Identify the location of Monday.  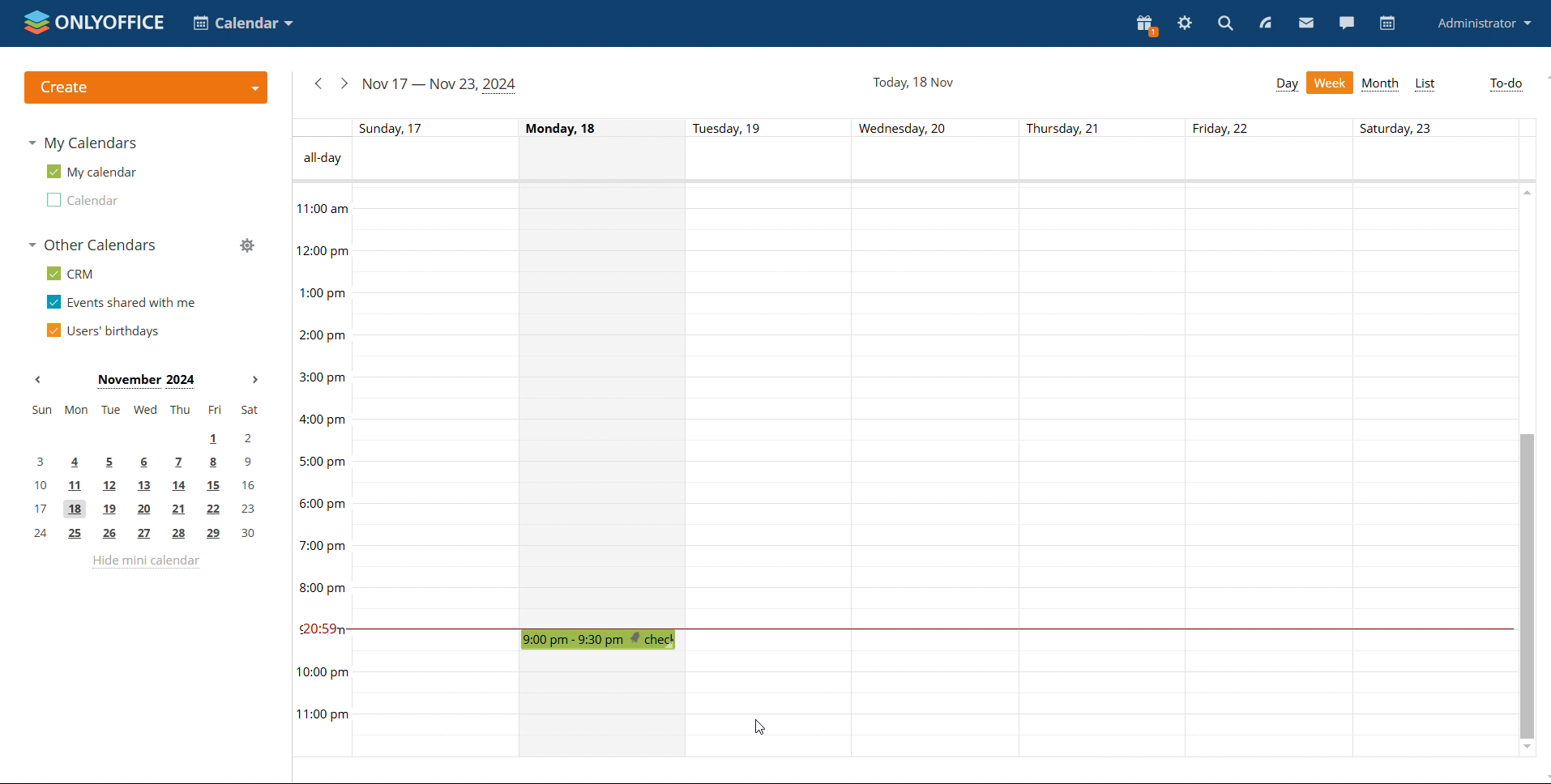
(603, 705).